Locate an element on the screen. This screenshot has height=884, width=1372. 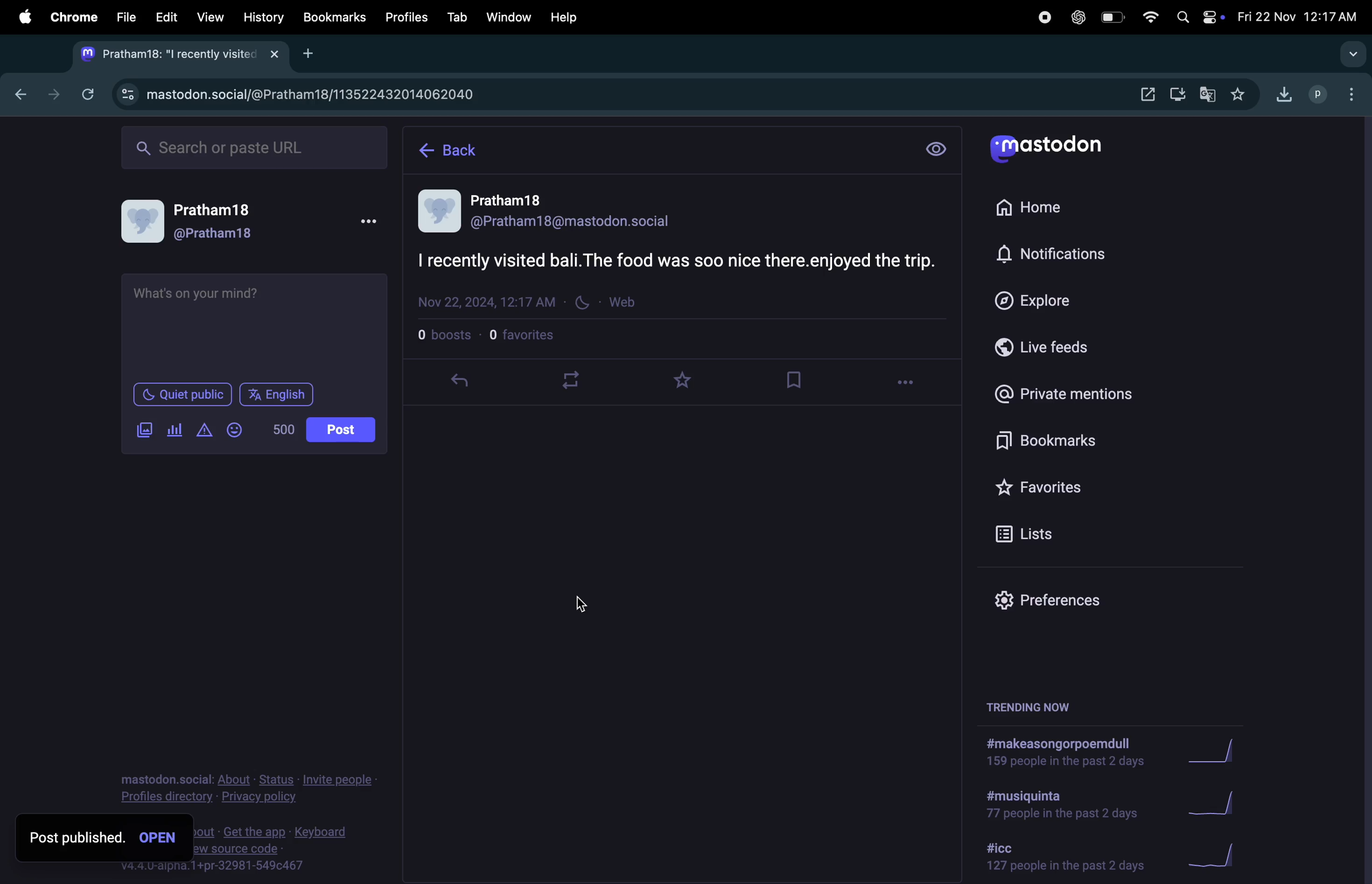
notifications is located at coordinates (1043, 251).